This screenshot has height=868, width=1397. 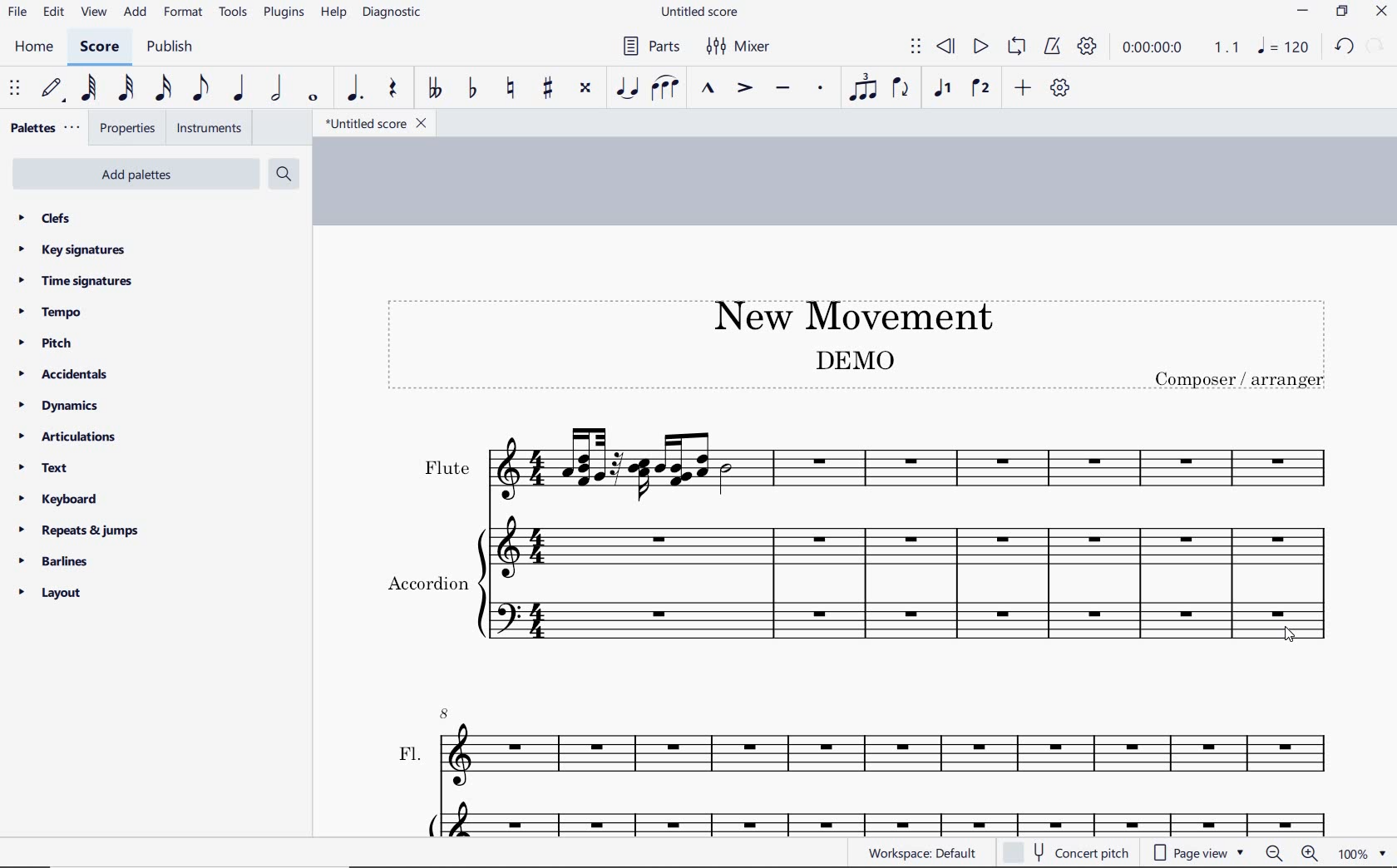 What do you see at coordinates (17, 89) in the screenshot?
I see `select to move` at bounding box center [17, 89].